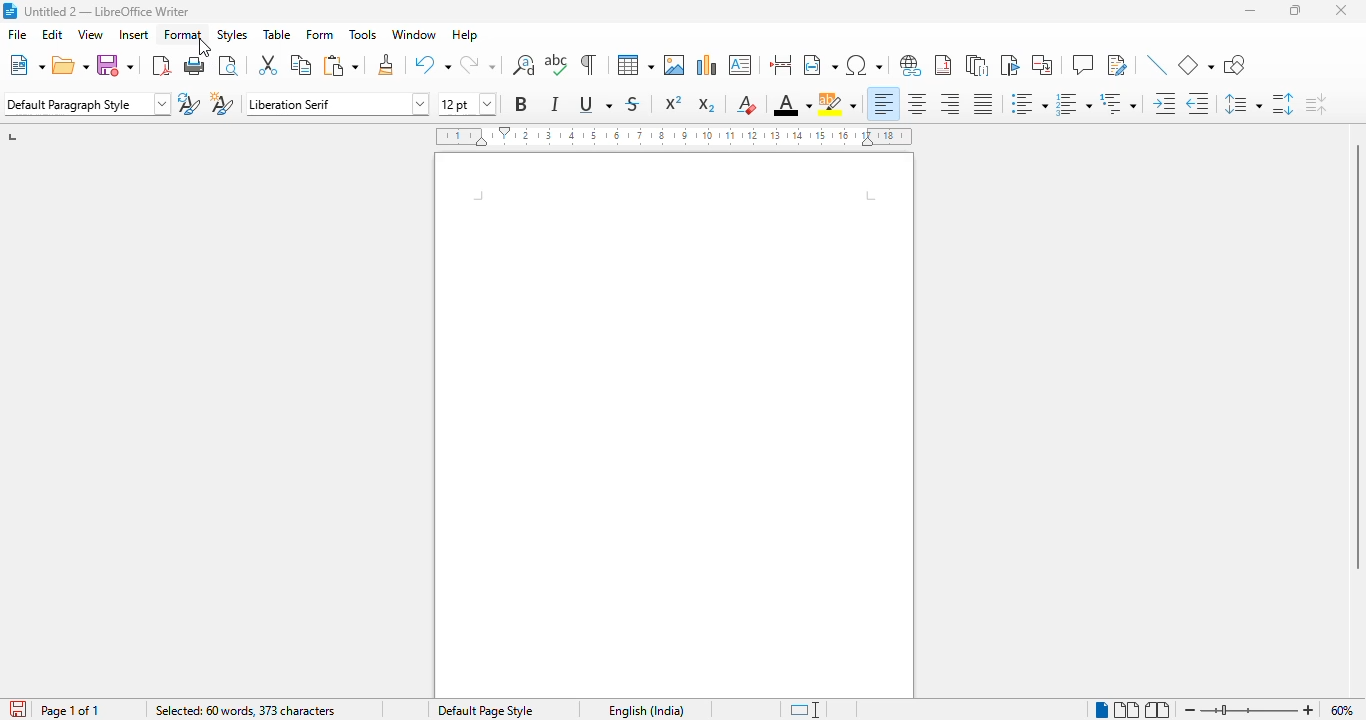  I want to click on tools, so click(363, 35).